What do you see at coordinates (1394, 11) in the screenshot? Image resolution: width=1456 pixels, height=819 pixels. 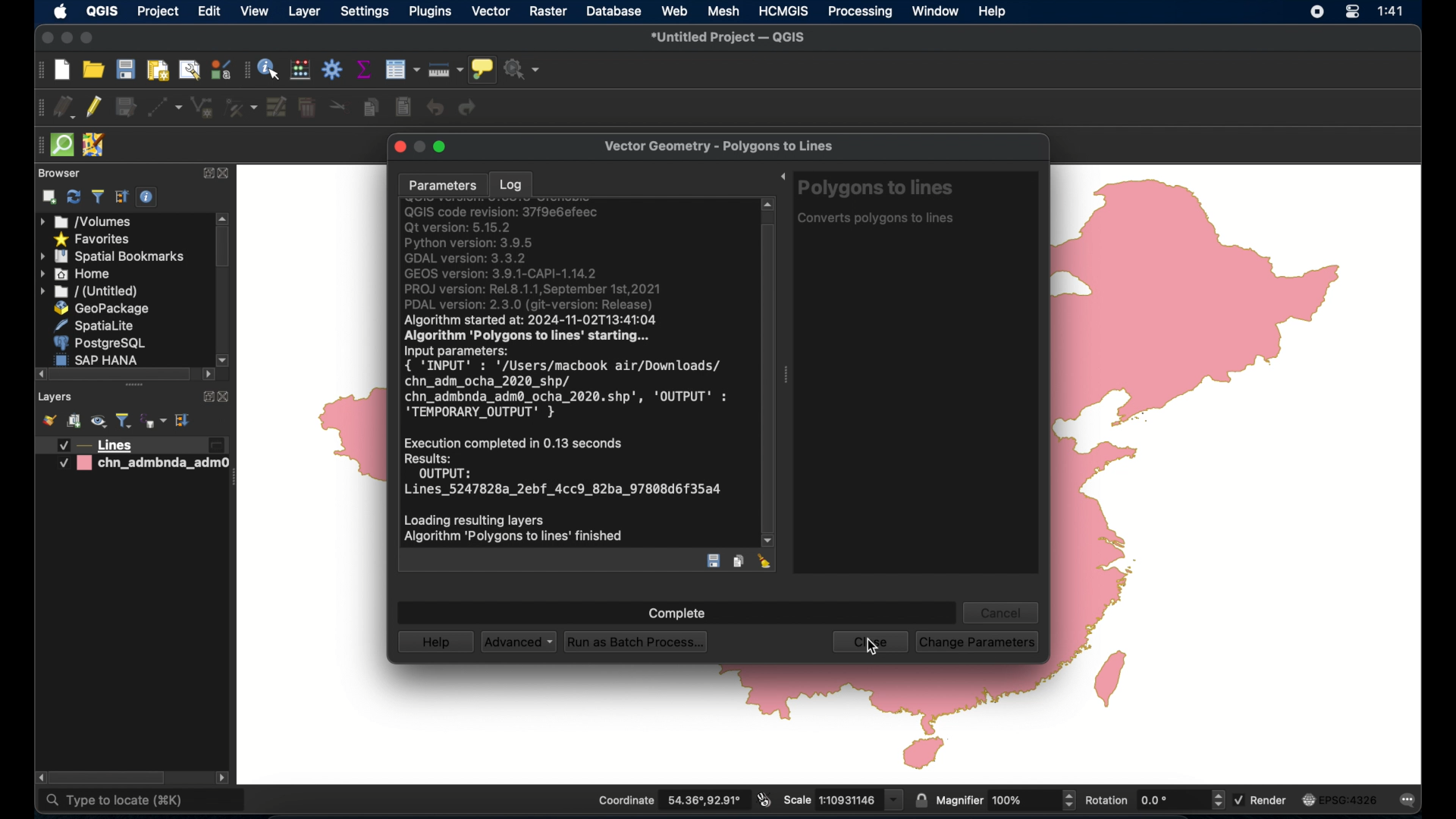 I see `time` at bounding box center [1394, 11].